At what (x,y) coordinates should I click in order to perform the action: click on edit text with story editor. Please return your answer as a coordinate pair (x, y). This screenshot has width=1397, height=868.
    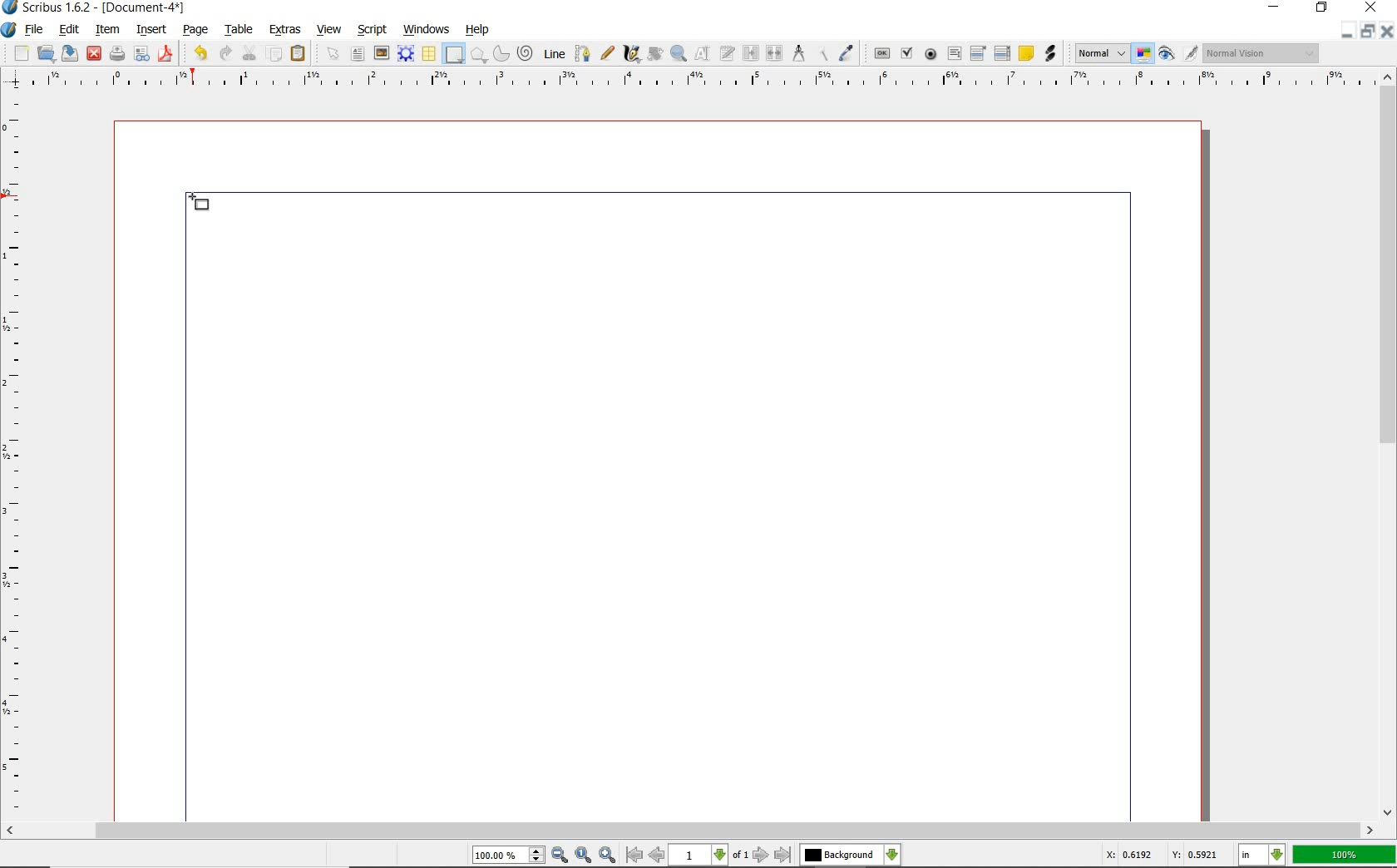
    Looking at the image, I should click on (726, 54).